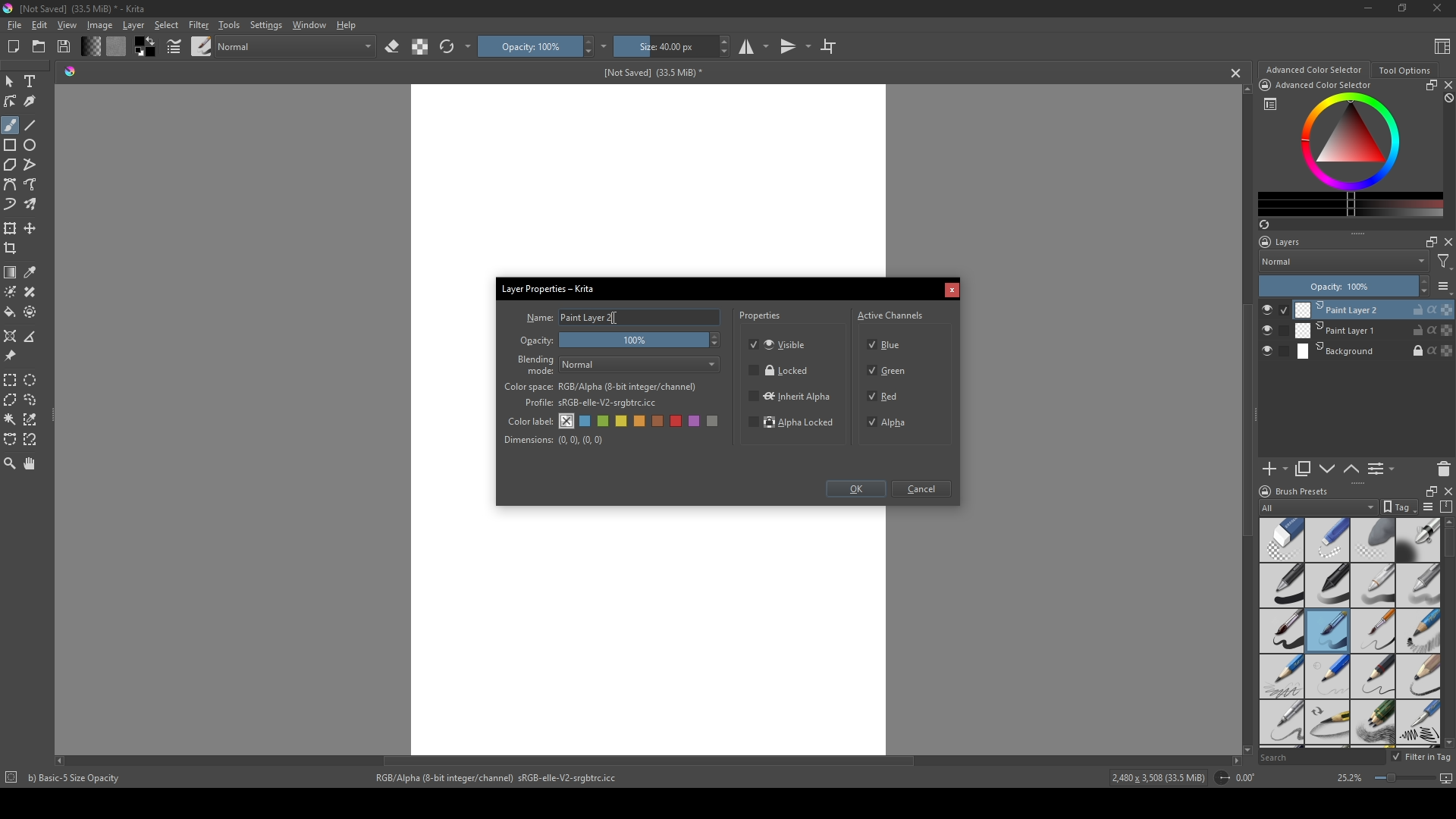 The image size is (1456, 819). Describe the element at coordinates (31, 125) in the screenshot. I see `line` at that location.